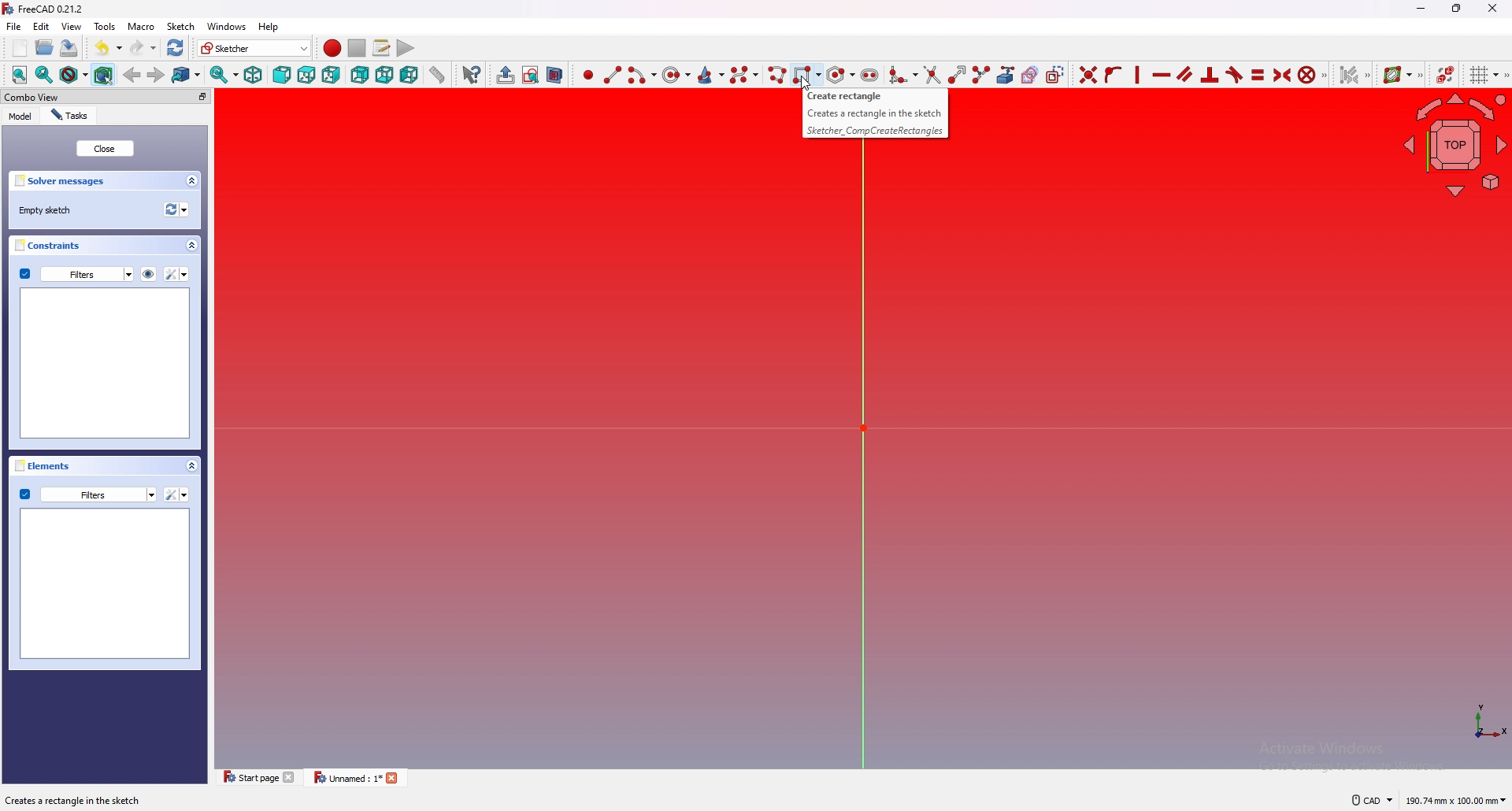  Describe the element at coordinates (406, 48) in the screenshot. I see `execute macro` at that location.